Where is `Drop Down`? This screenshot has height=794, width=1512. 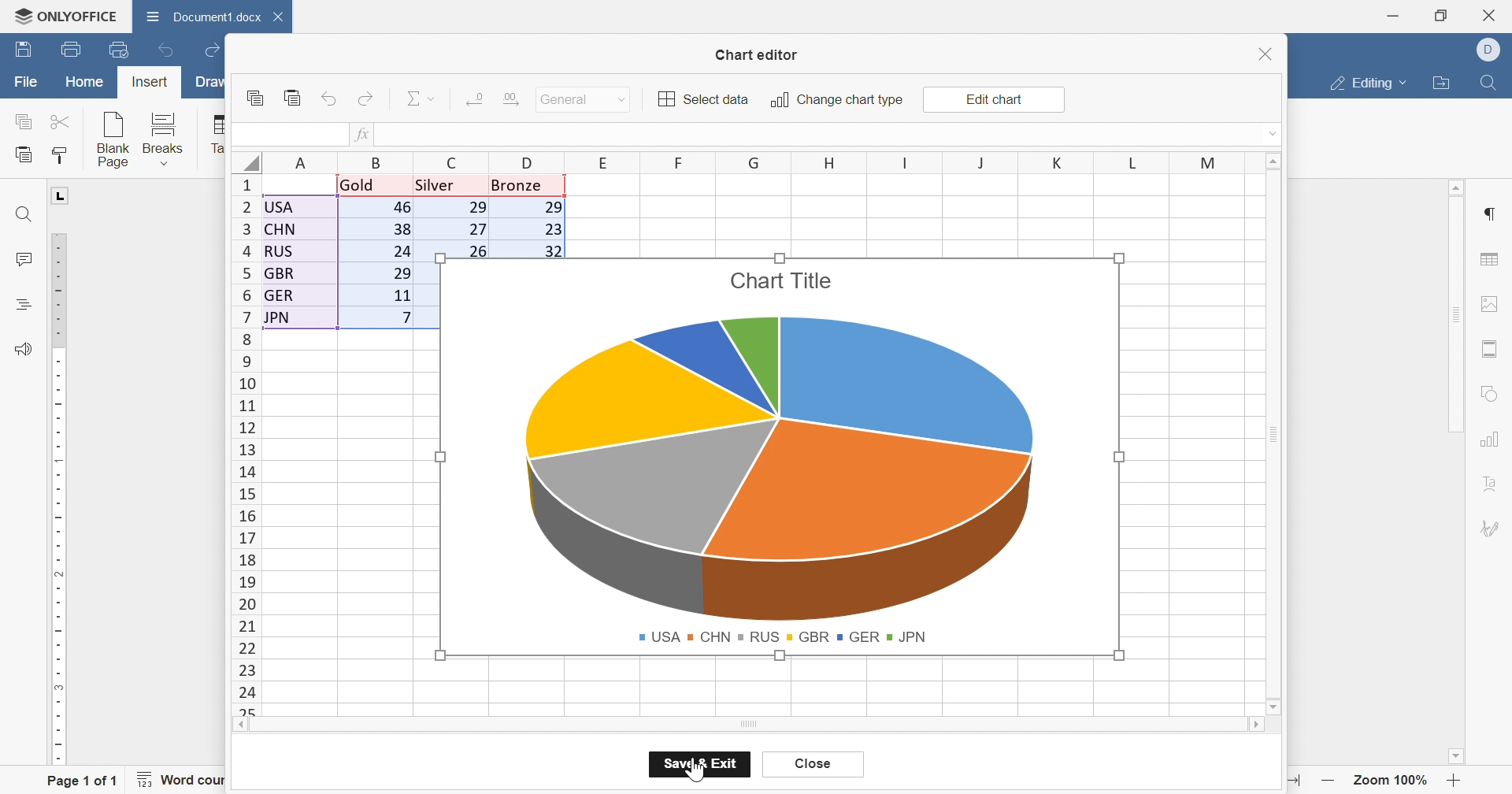 Drop Down is located at coordinates (620, 100).